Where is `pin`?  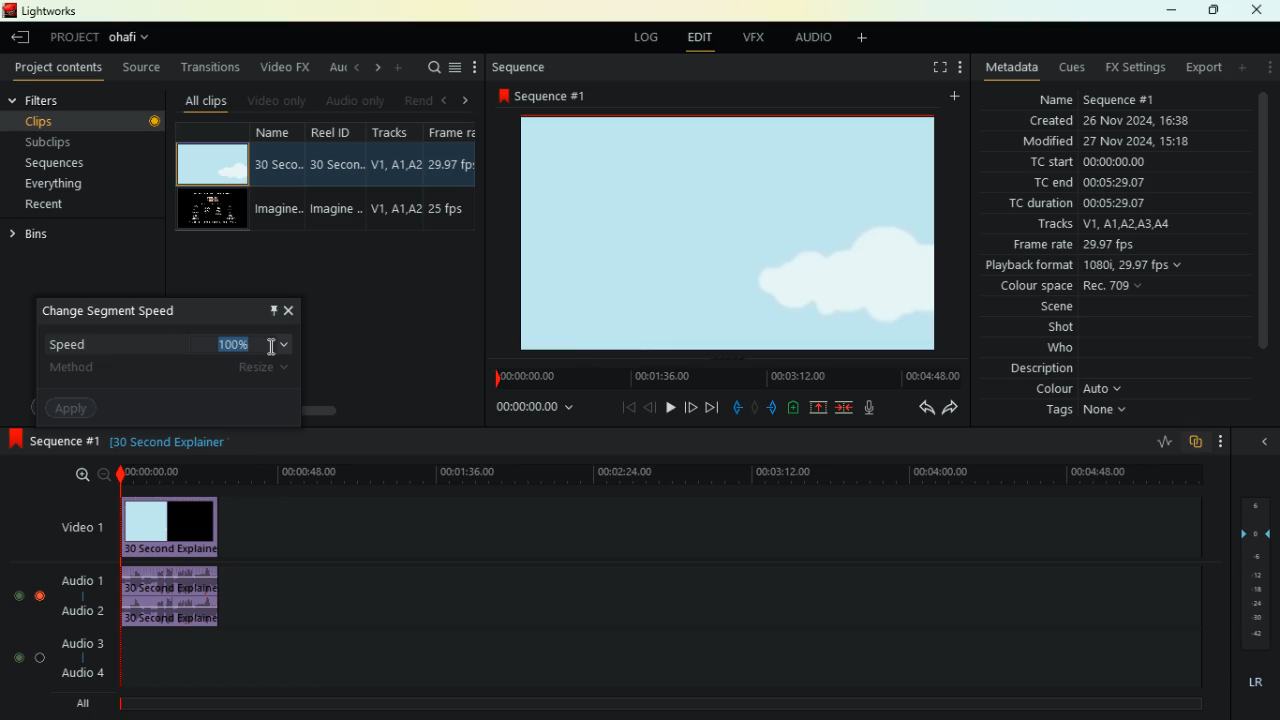 pin is located at coordinates (273, 310).